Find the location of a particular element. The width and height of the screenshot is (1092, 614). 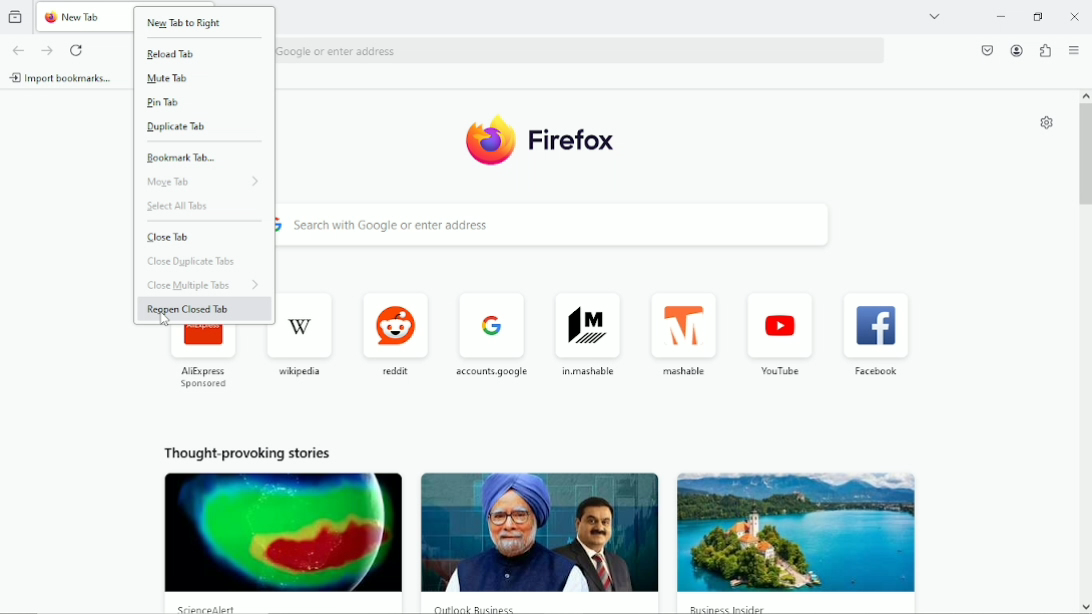

reload tab is located at coordinates (170, 54).